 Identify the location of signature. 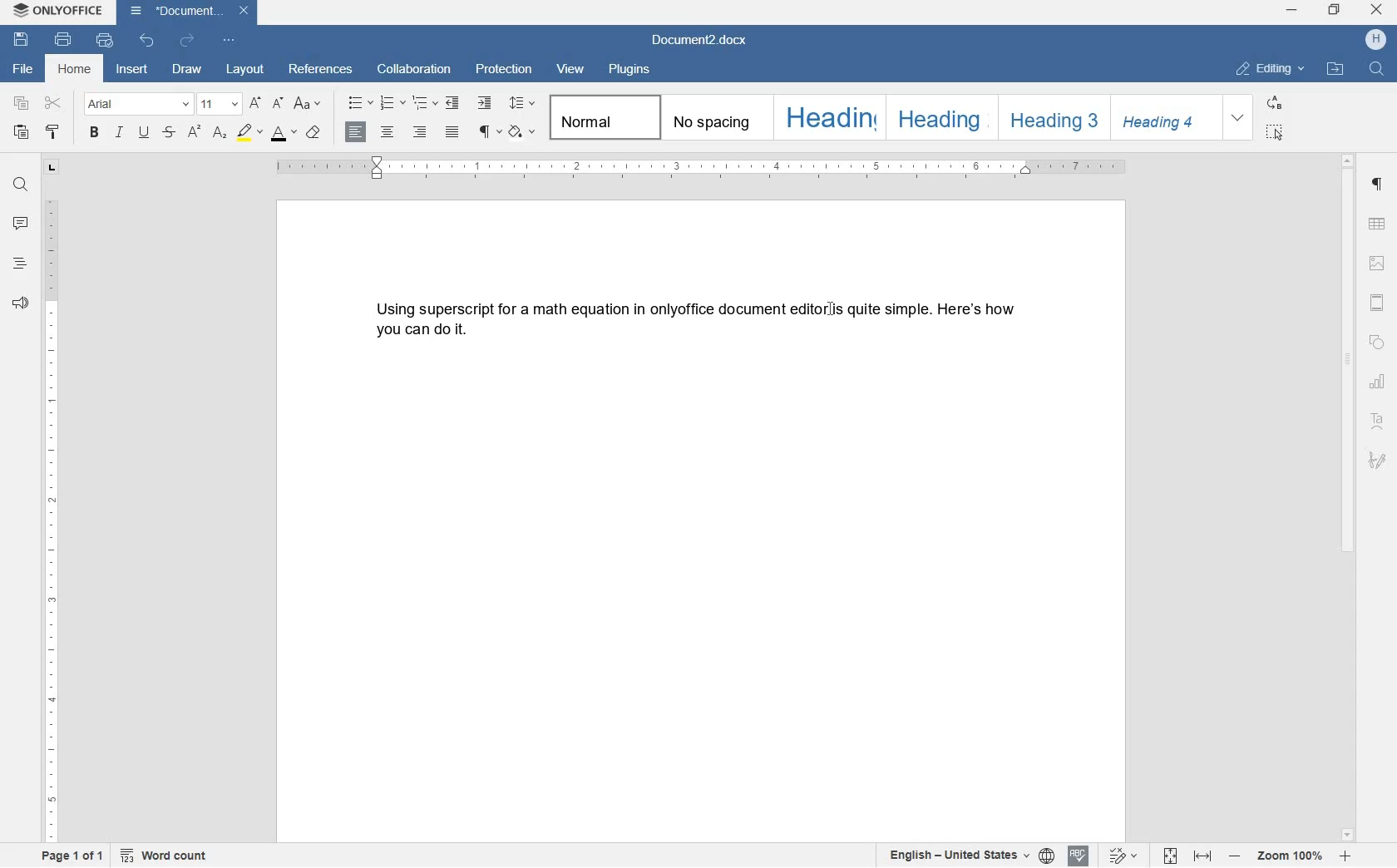
(1378, 461).